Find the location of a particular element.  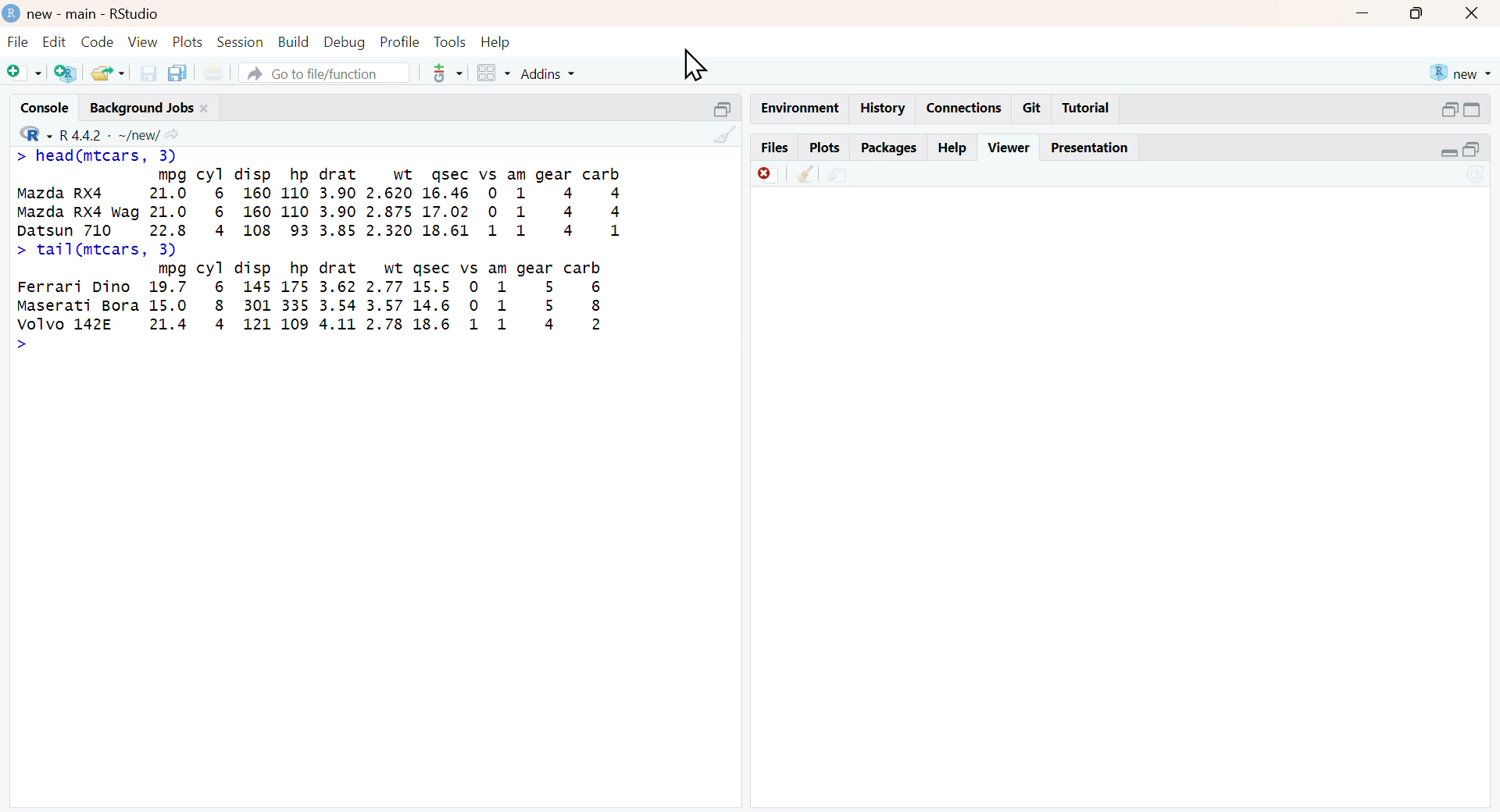

View is located at coordinates (142, 41).